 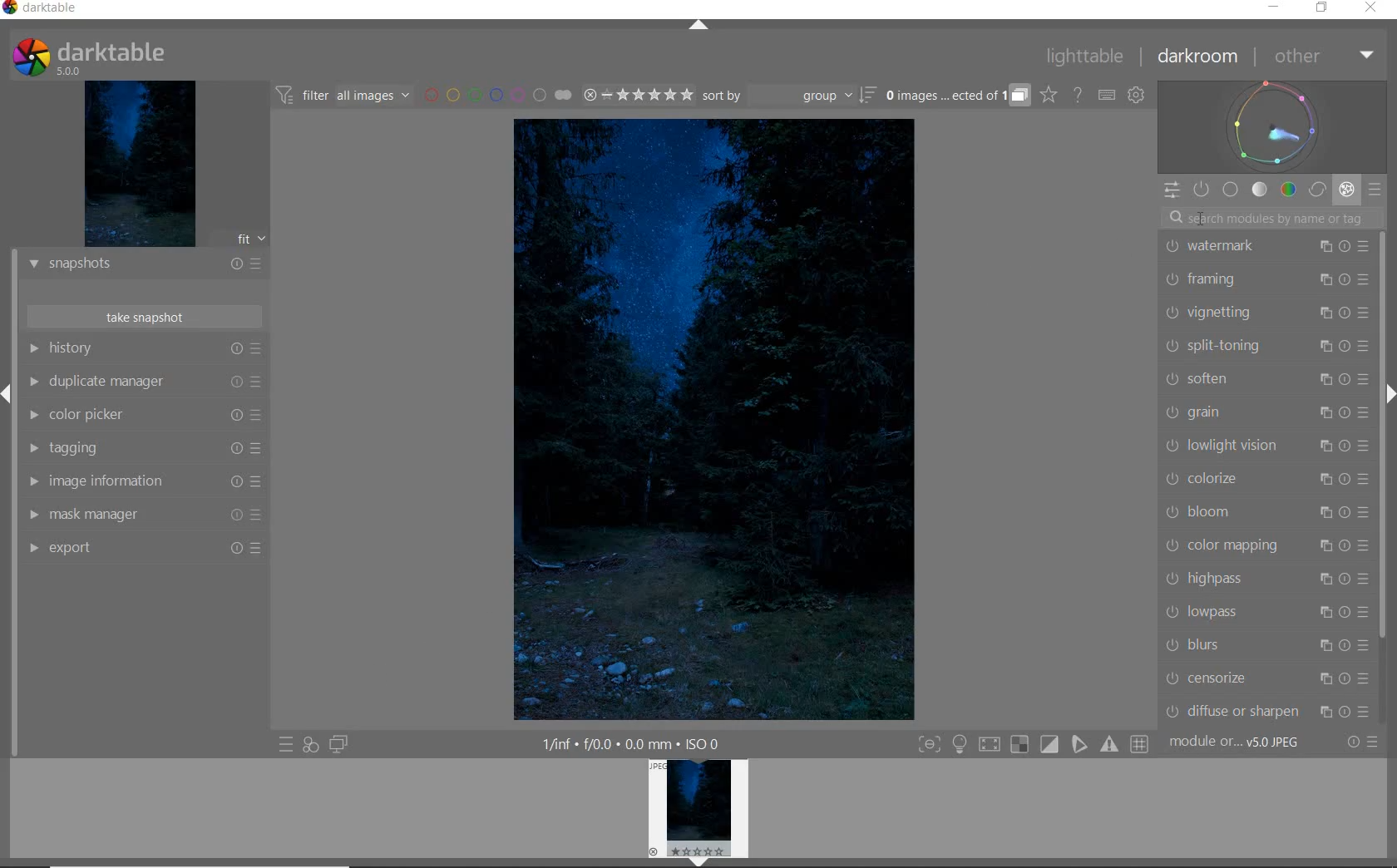 What do you see at coordinates (1319, 189) in the screenshot?
I see `CORRECT` at bounding box center [1319, 189].